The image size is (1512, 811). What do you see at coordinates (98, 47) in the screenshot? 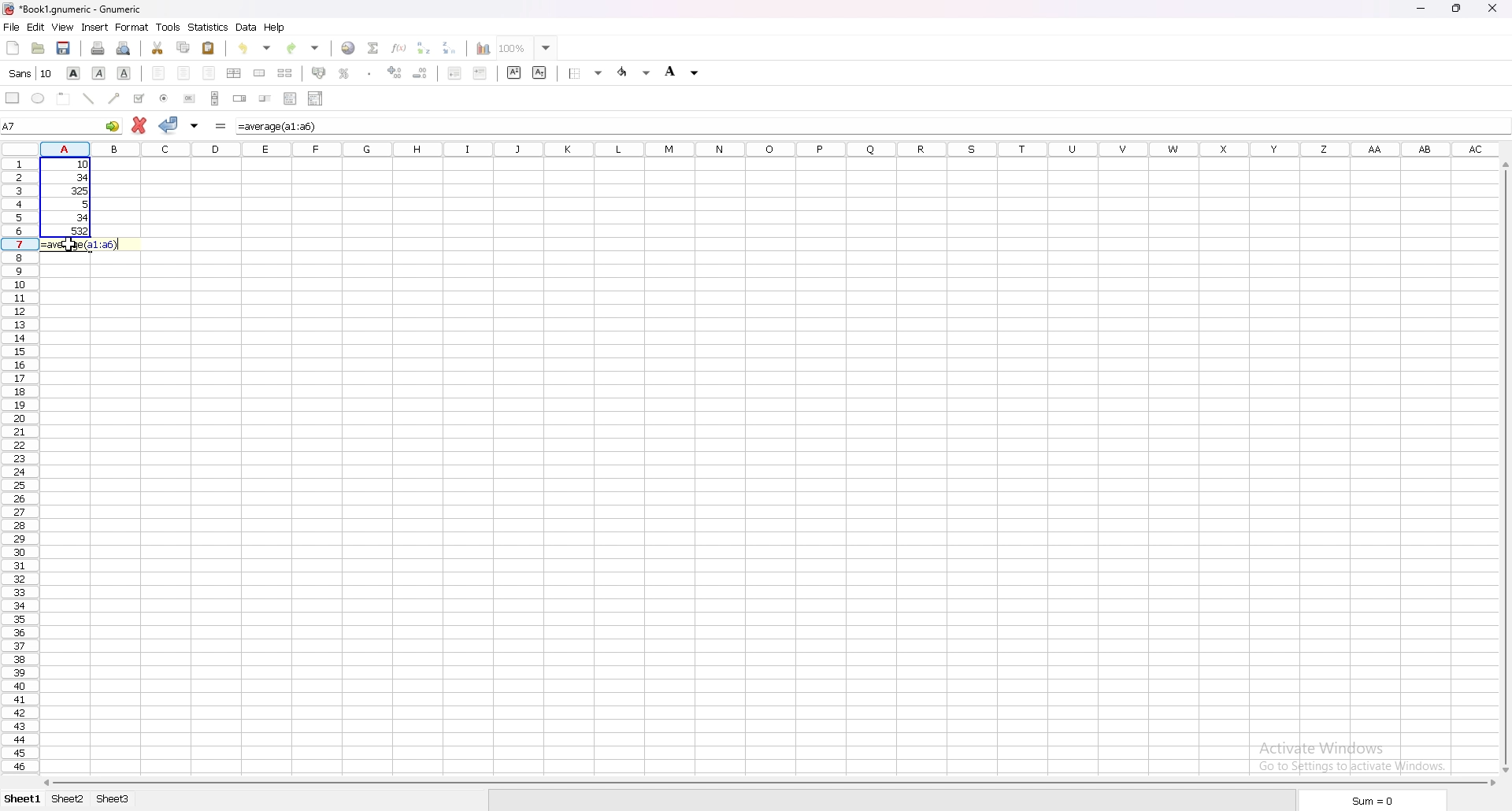
I see `print` at bounding box center [98, 47].